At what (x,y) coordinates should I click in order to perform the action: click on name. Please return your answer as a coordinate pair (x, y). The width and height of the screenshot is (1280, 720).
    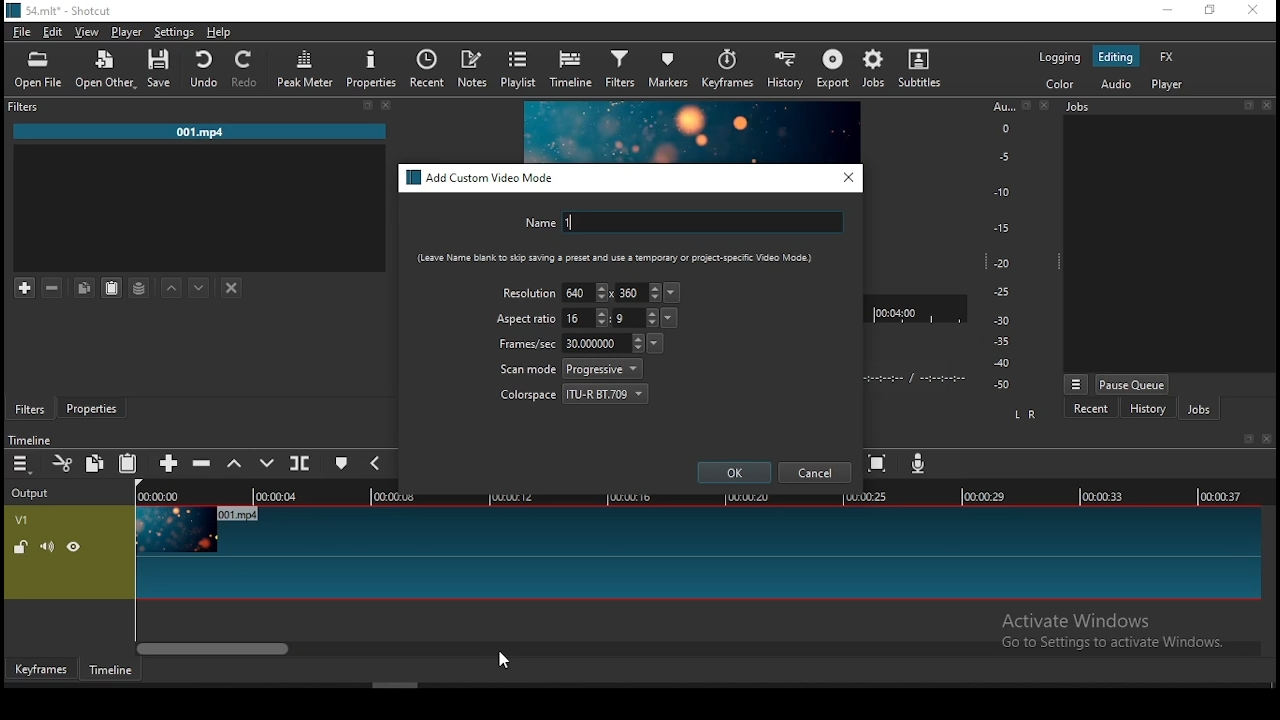
    Looking at the image, I should click on (684, 222).